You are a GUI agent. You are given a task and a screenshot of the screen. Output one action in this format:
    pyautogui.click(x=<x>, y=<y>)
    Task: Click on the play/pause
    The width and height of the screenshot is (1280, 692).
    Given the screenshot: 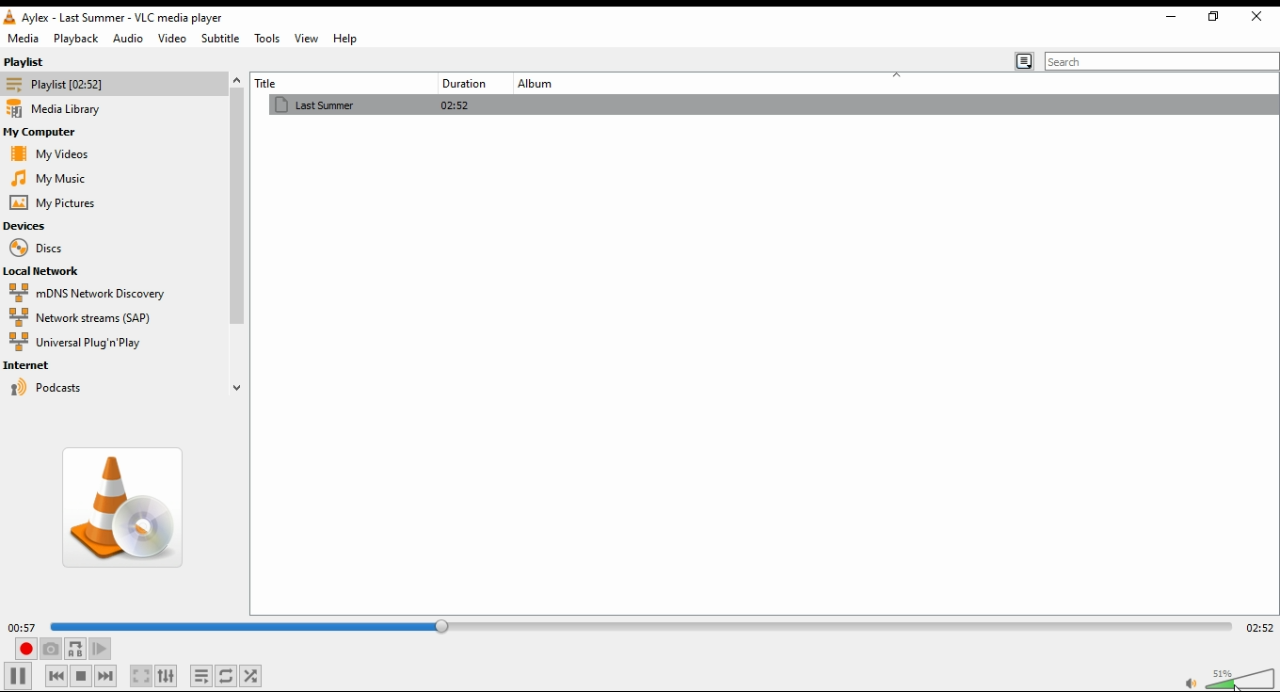 What is the action you would take?
    pyautogui.click(x=18, y=677)
    